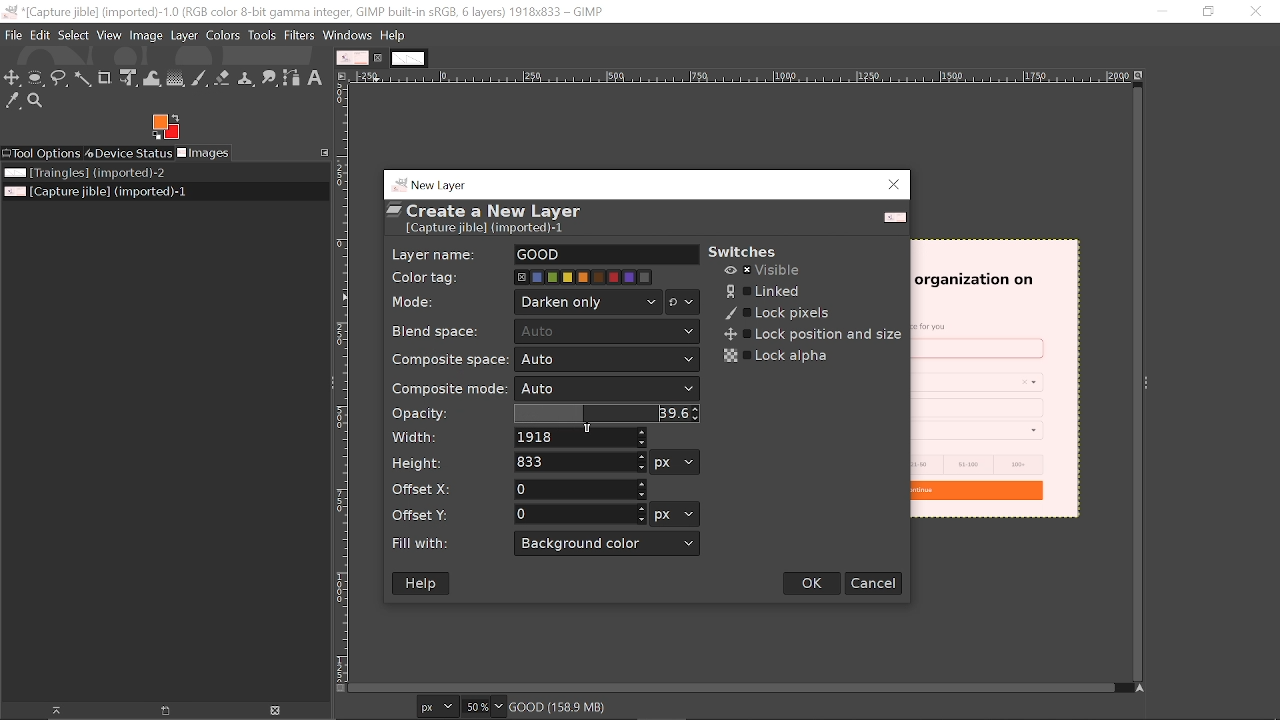 This screenshot has width=1280, height=720. Describe the element at coordinates (742, 77) in the screenshot. I see `Horizontal label` at that location.